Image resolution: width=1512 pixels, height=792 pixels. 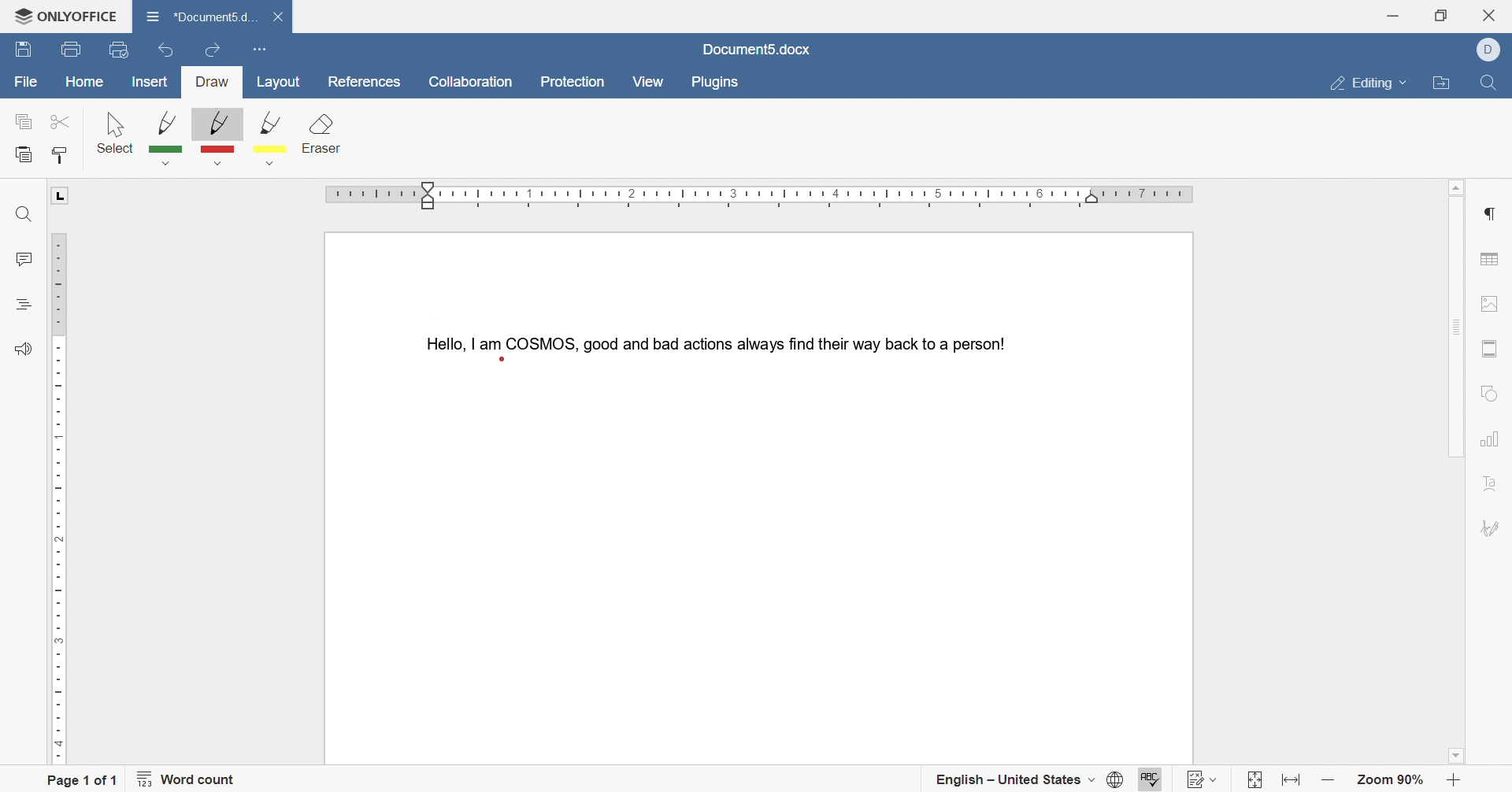 What do you see at coordinates (83, 779) in the screenshot?
I see `page 1 of 1` at bounding box center [83, 779].